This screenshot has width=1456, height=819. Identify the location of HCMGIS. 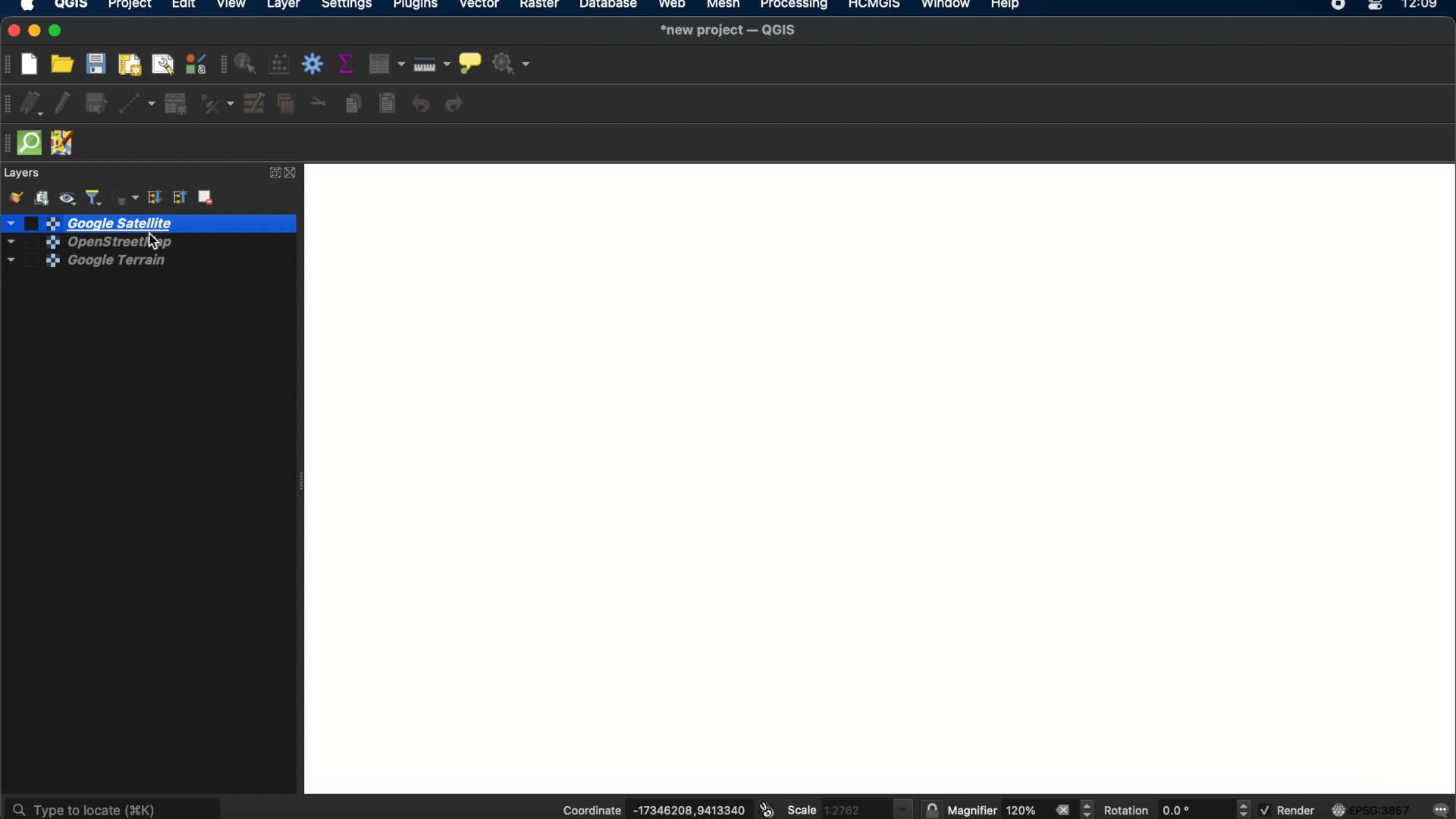
(873, 6).